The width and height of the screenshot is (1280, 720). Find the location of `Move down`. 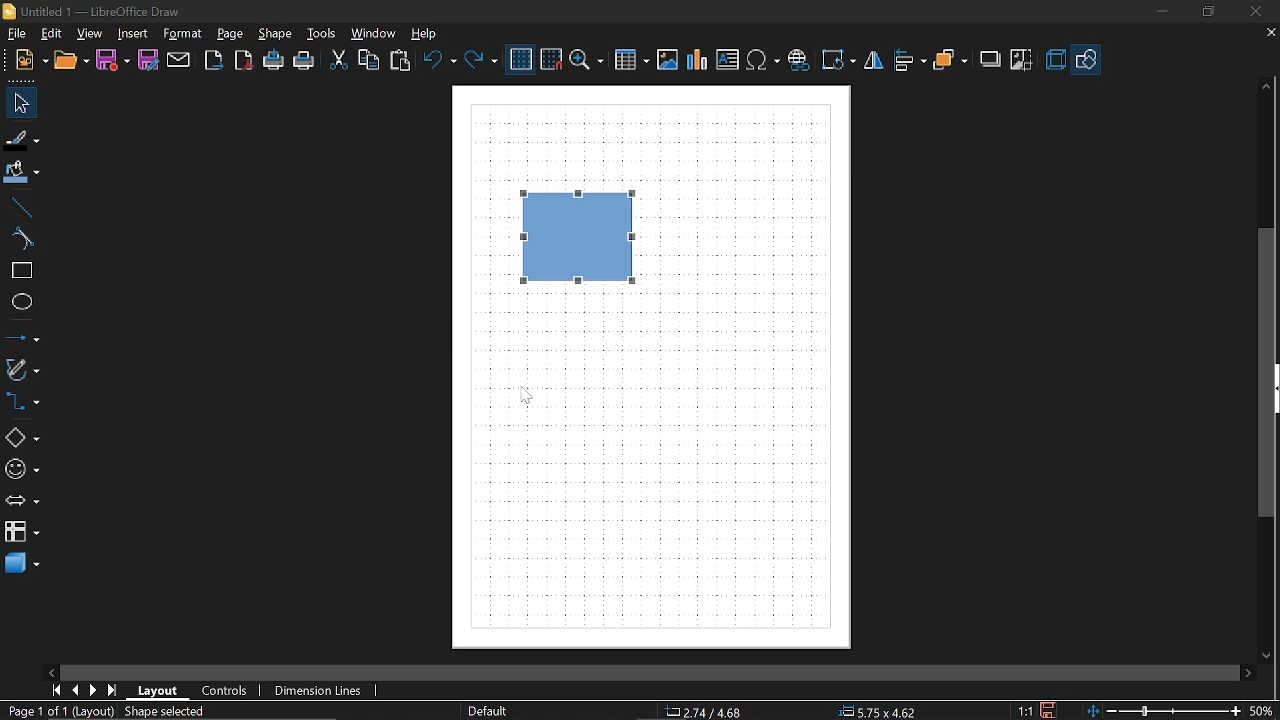

Move down is located at coordinates (1269, 654).